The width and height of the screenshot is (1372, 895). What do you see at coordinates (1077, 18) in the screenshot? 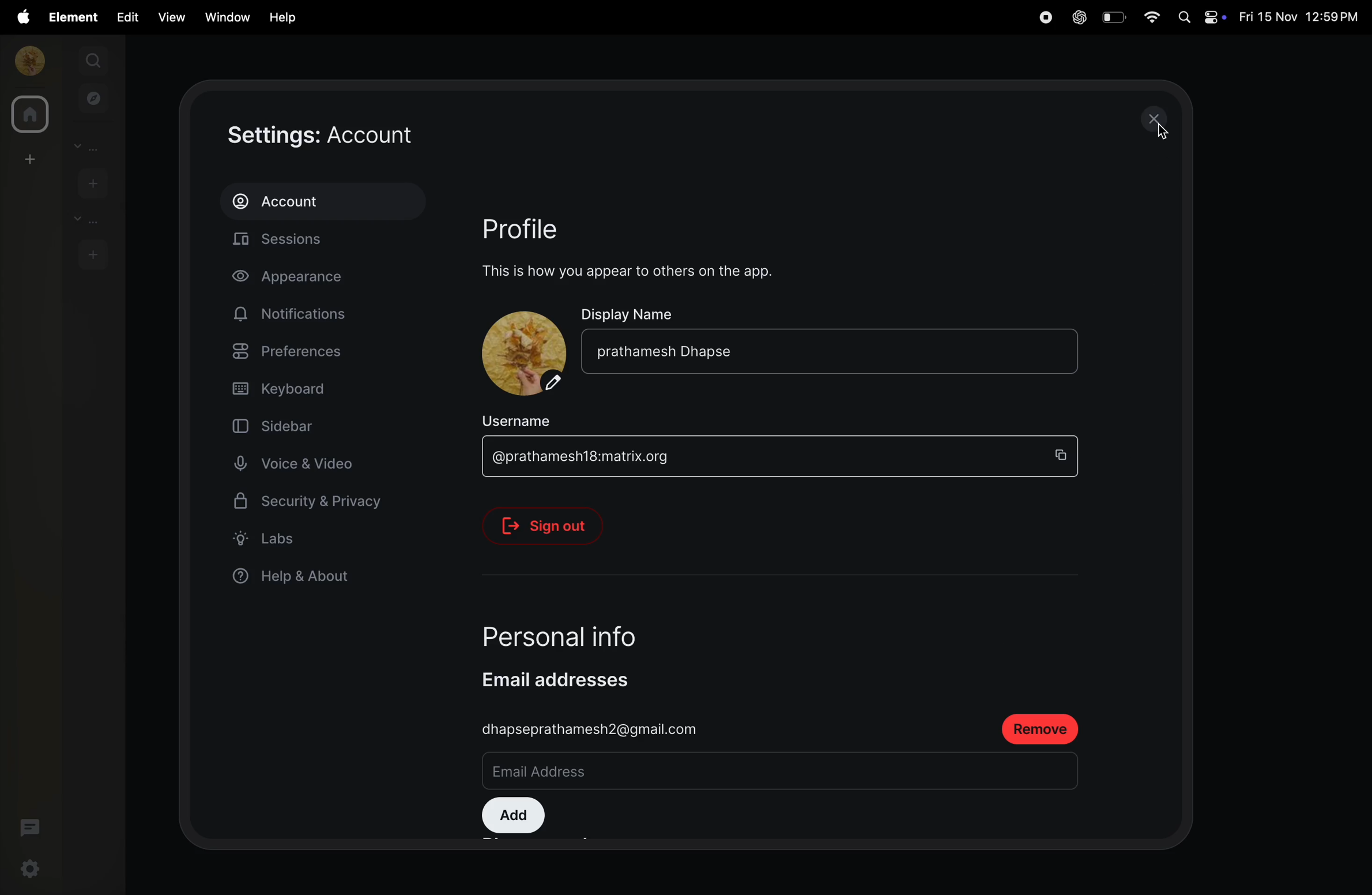
I see `chatgpt` at bounding box center [1077, 18].